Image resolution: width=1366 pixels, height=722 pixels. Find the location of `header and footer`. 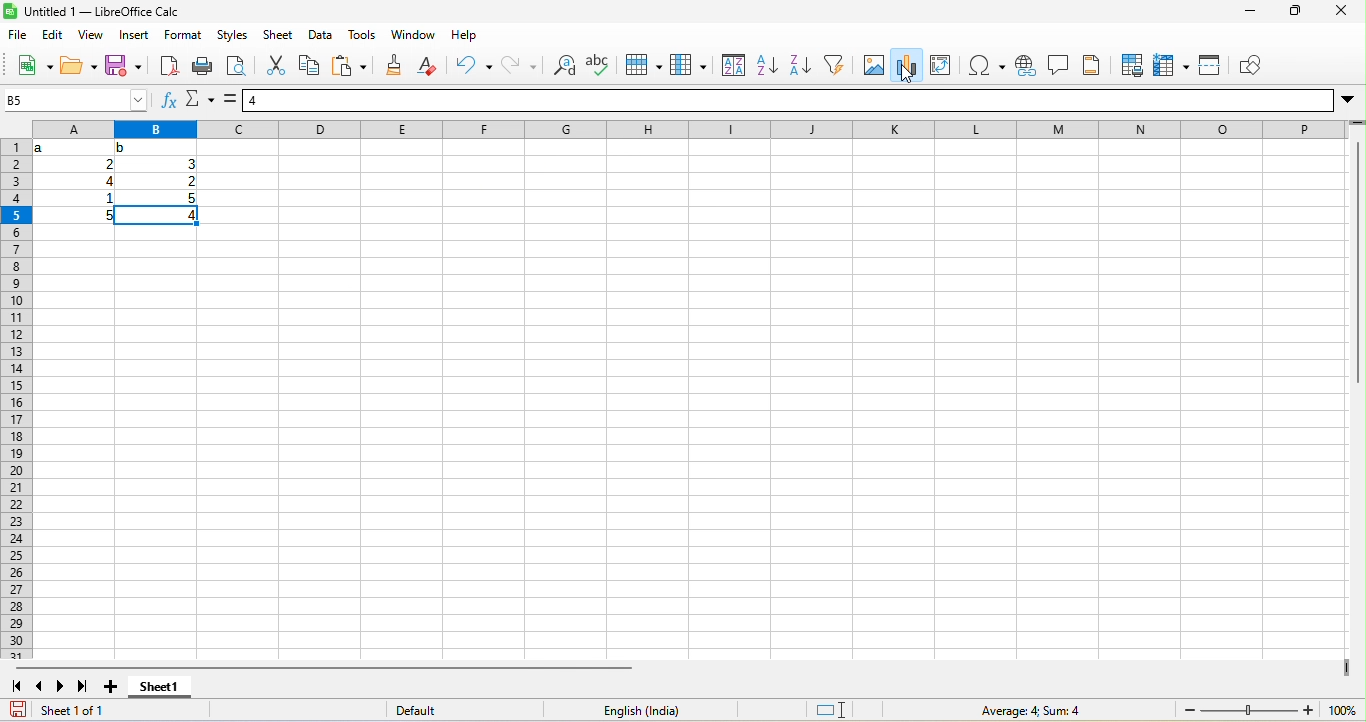

header and footer is located at coordinates (1092, 66).